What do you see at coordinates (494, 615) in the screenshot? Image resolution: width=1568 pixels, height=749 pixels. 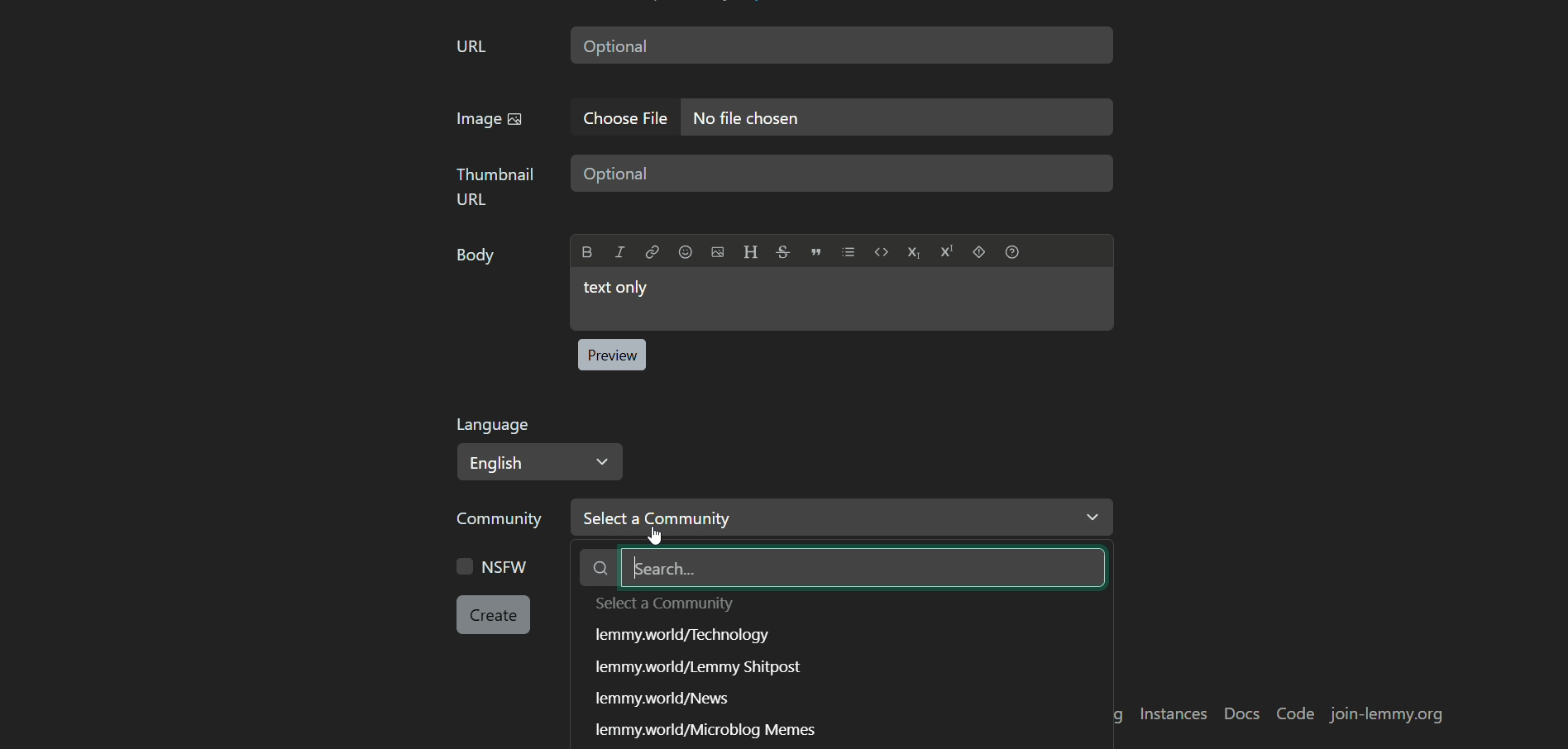 I see `create button` at bounding box center [494, 615].